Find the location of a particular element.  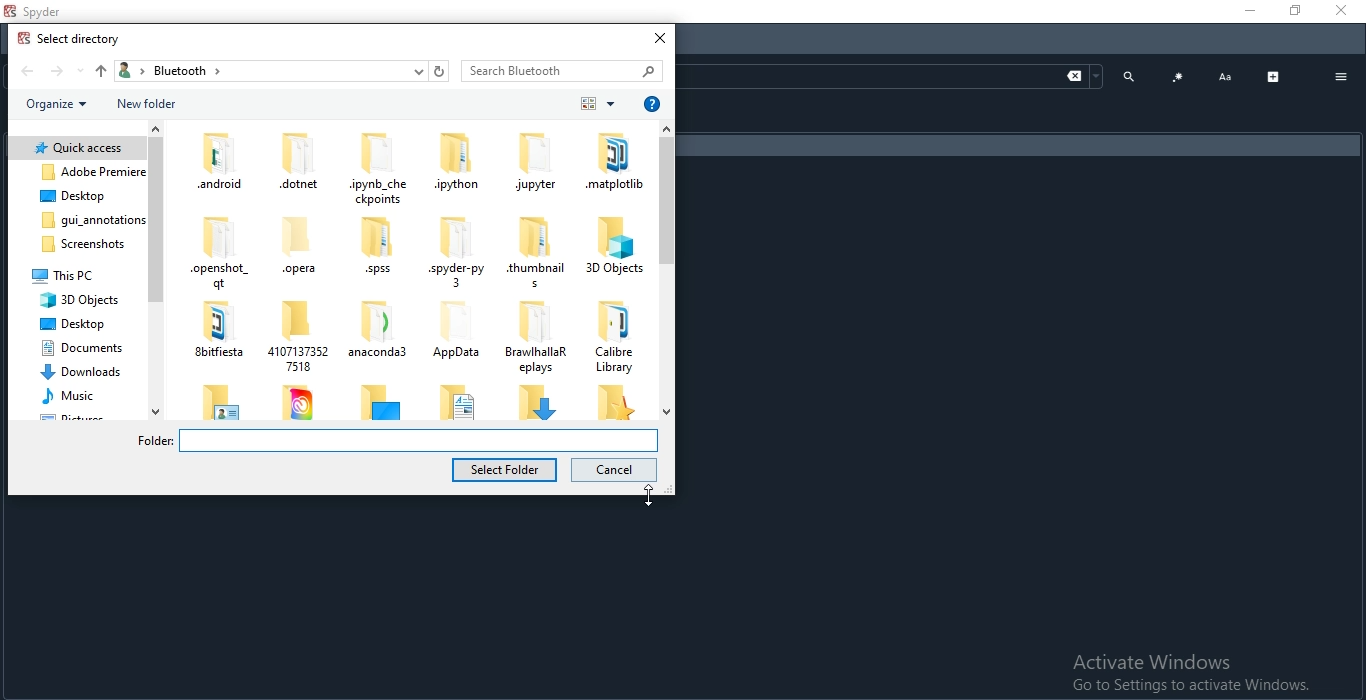

documents is located at coordinates (78, 346).